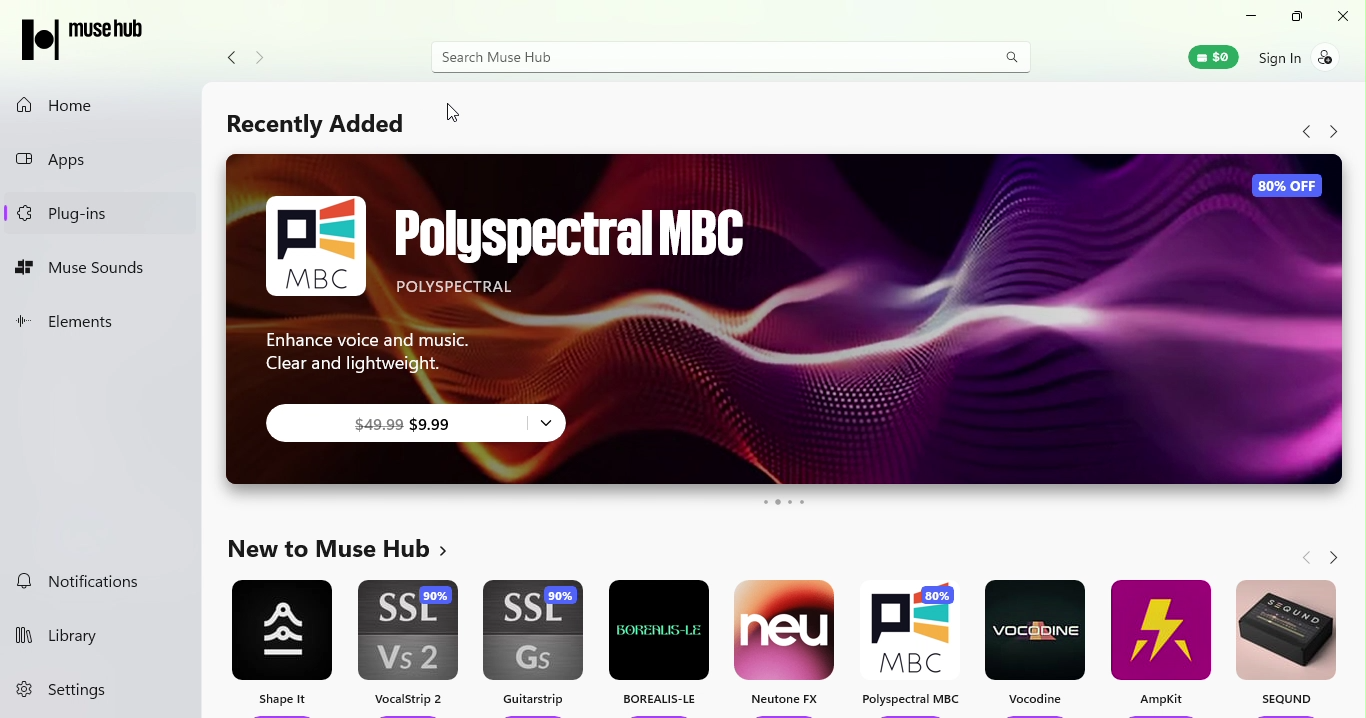 The image size is (1366, 718). What do you see at coordinates (538, 649) in the screenshot?
I see `Guitarstrip` at bounding box center [538, 649].